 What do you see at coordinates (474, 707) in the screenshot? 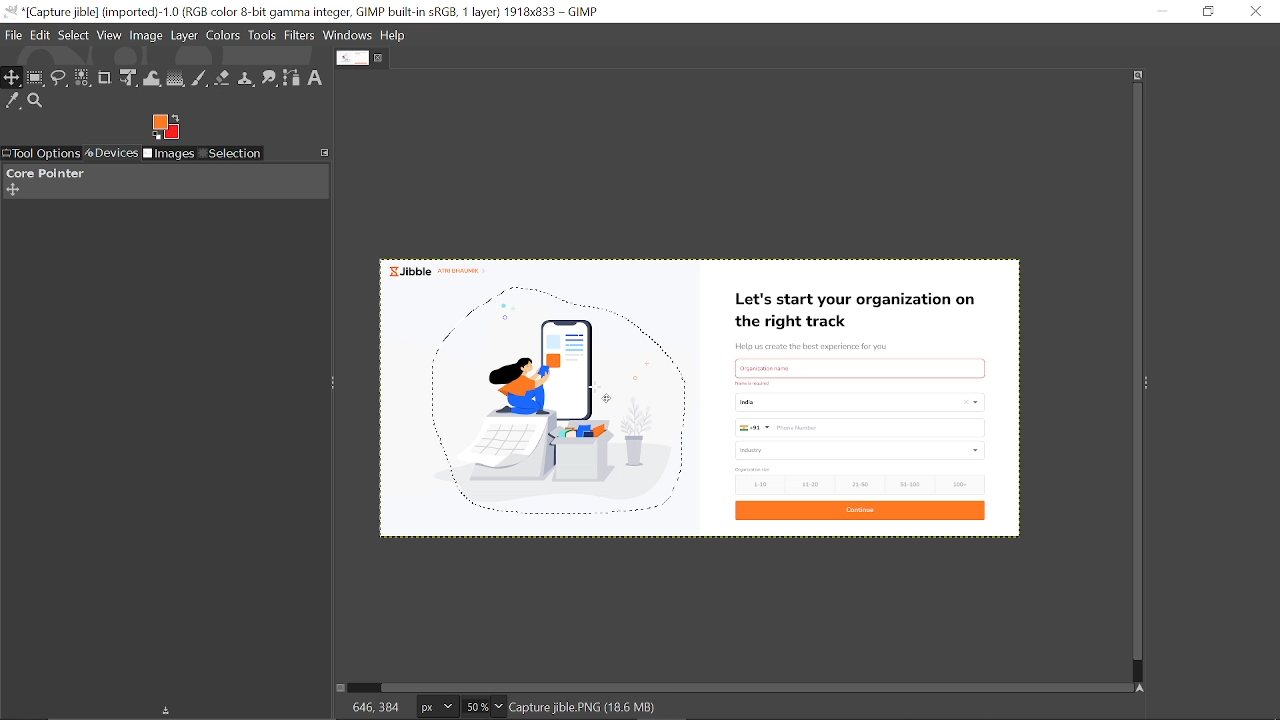
I see `Current Zoom` at bounding box center [474, 707].